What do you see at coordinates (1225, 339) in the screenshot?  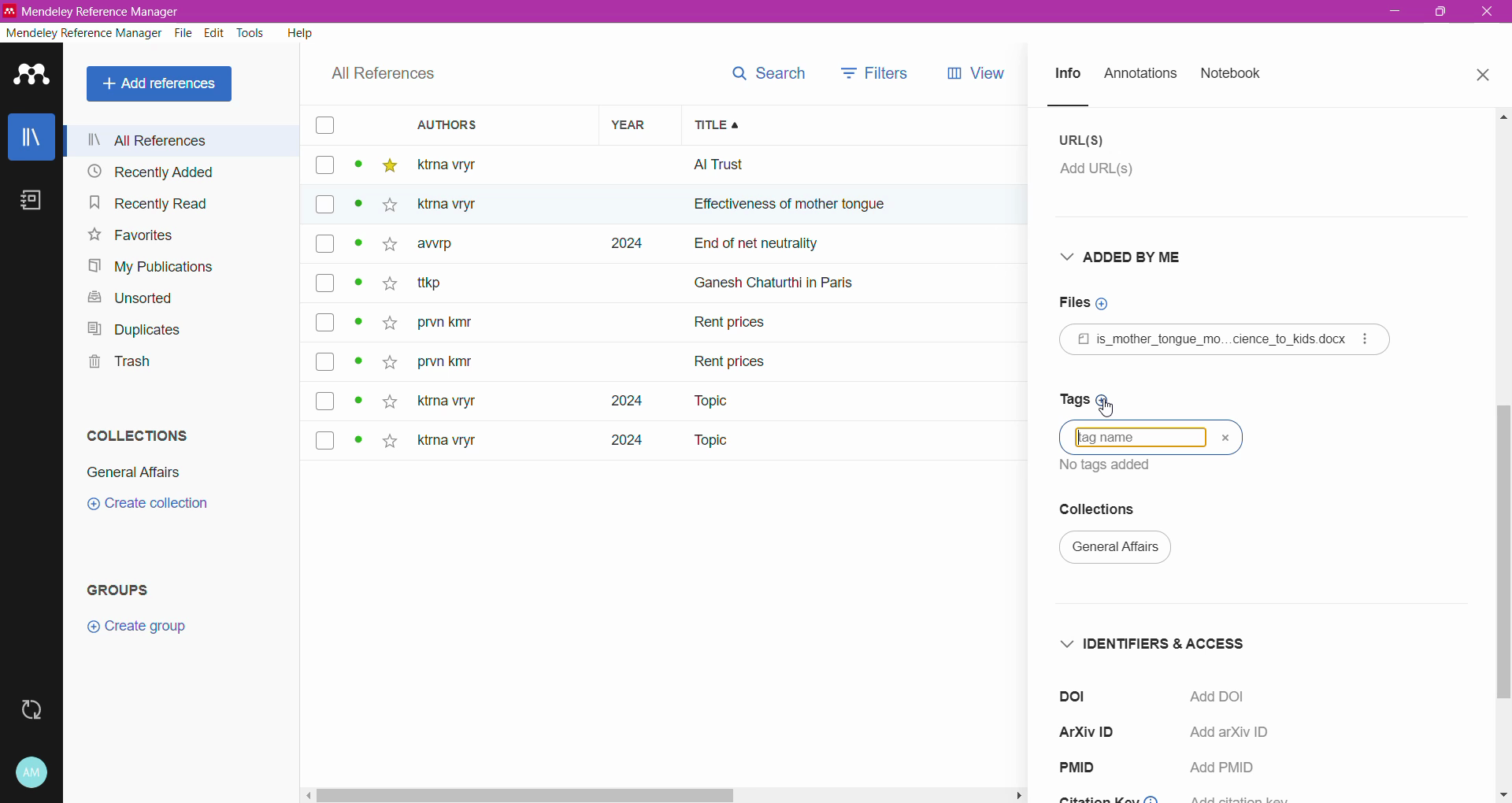 I see `Reference File ` at bounding box center [1225, 339].